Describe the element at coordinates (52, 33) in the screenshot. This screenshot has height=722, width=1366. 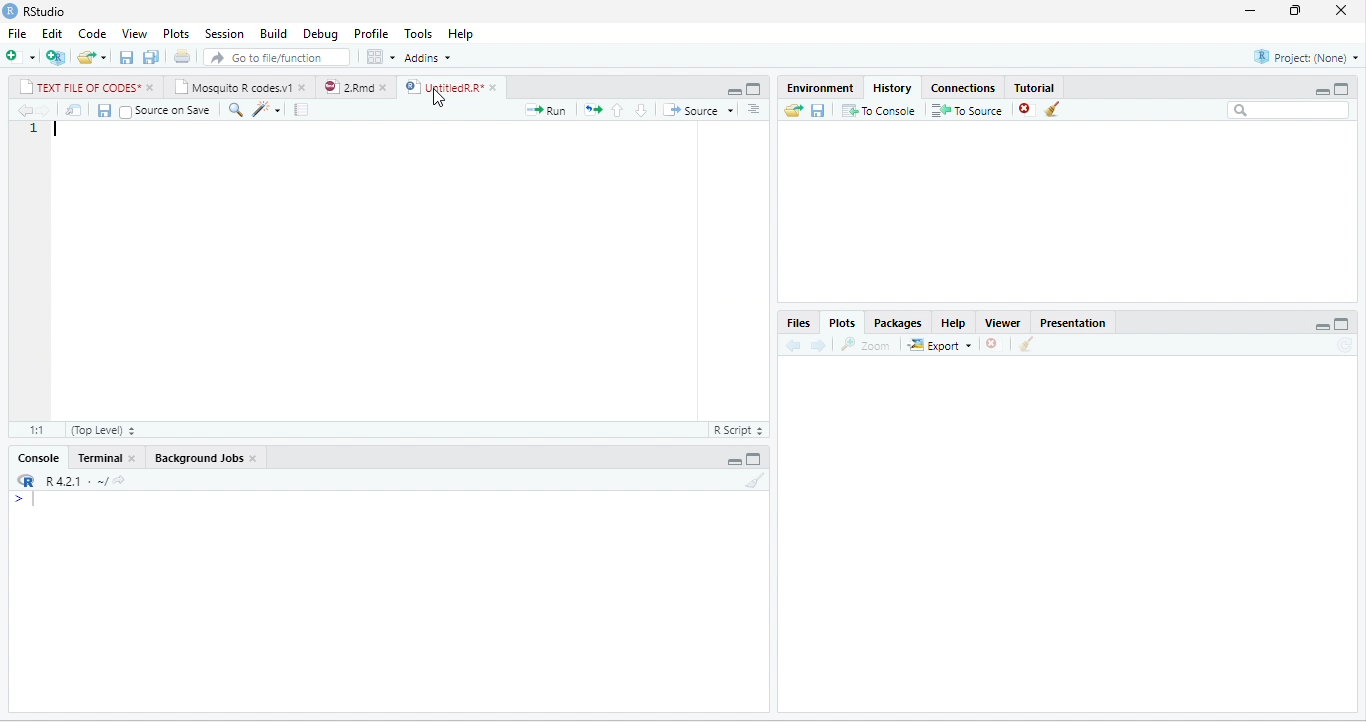
I see `Edit` at that location.